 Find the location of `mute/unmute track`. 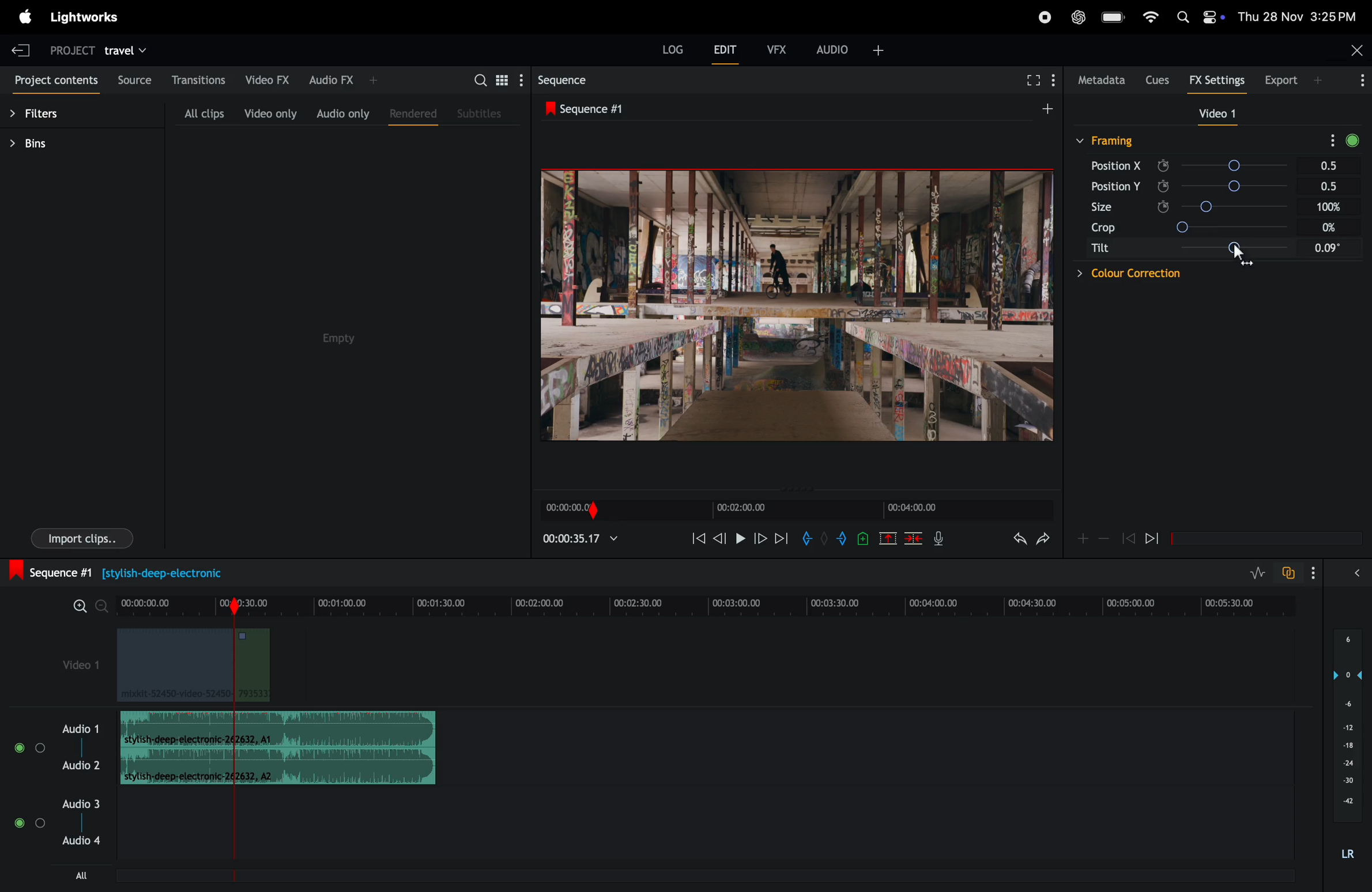

mute/unmute track is located at coordinates (17, 745).